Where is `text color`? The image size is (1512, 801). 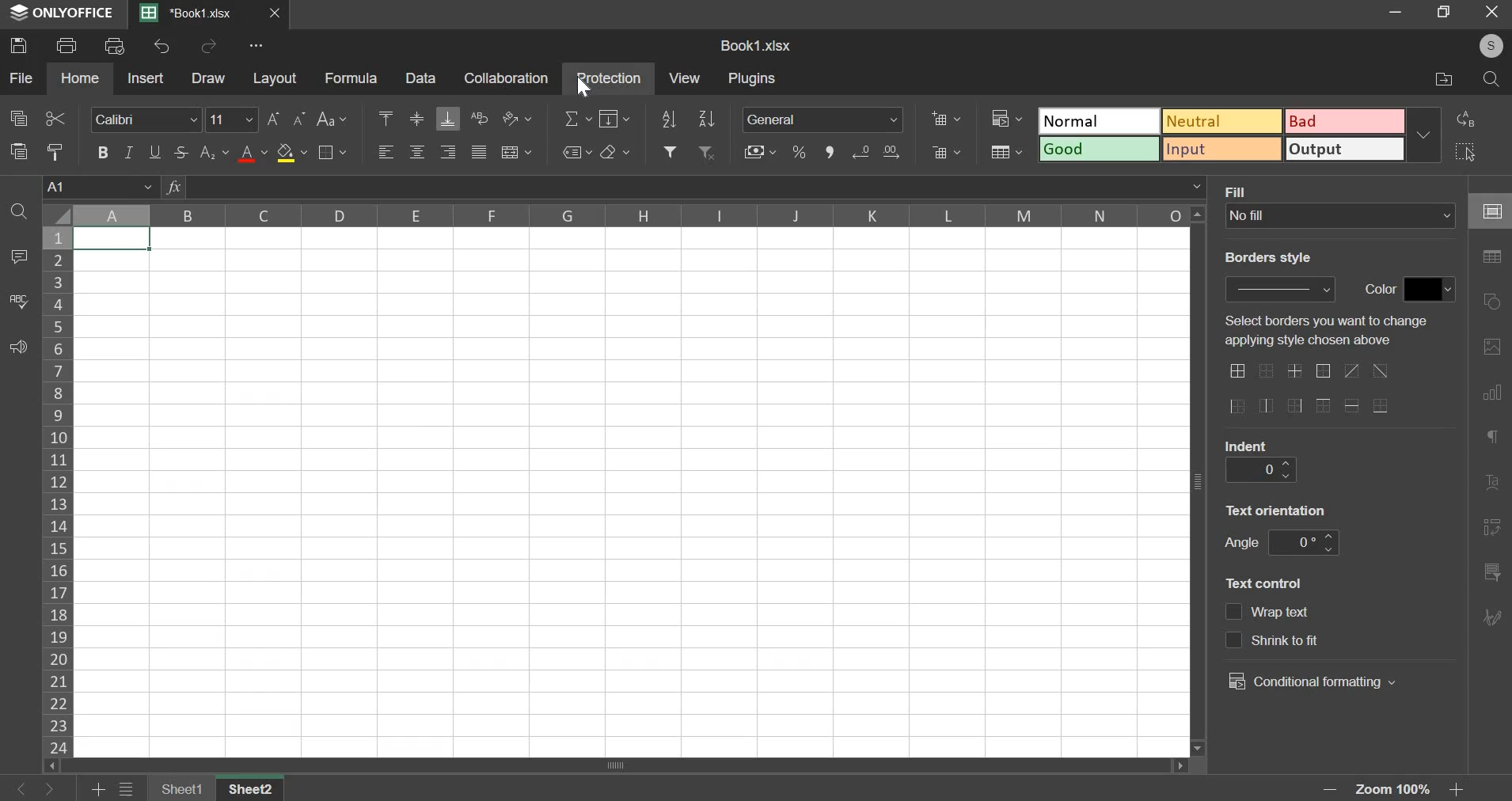
text color is located at coordinates (252, 154).